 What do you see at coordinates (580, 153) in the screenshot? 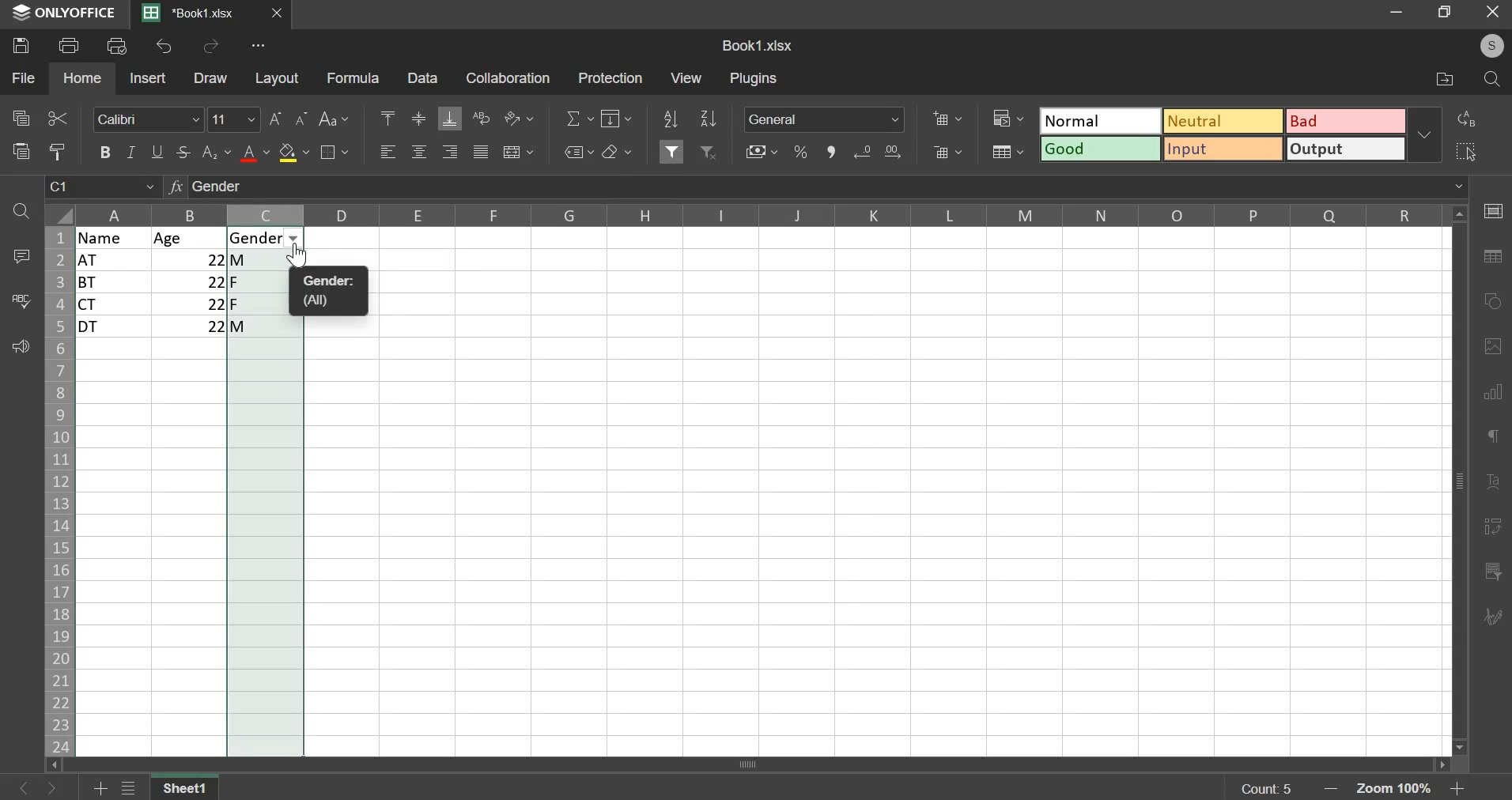
I see `named range` at bounding box center [580, 153].